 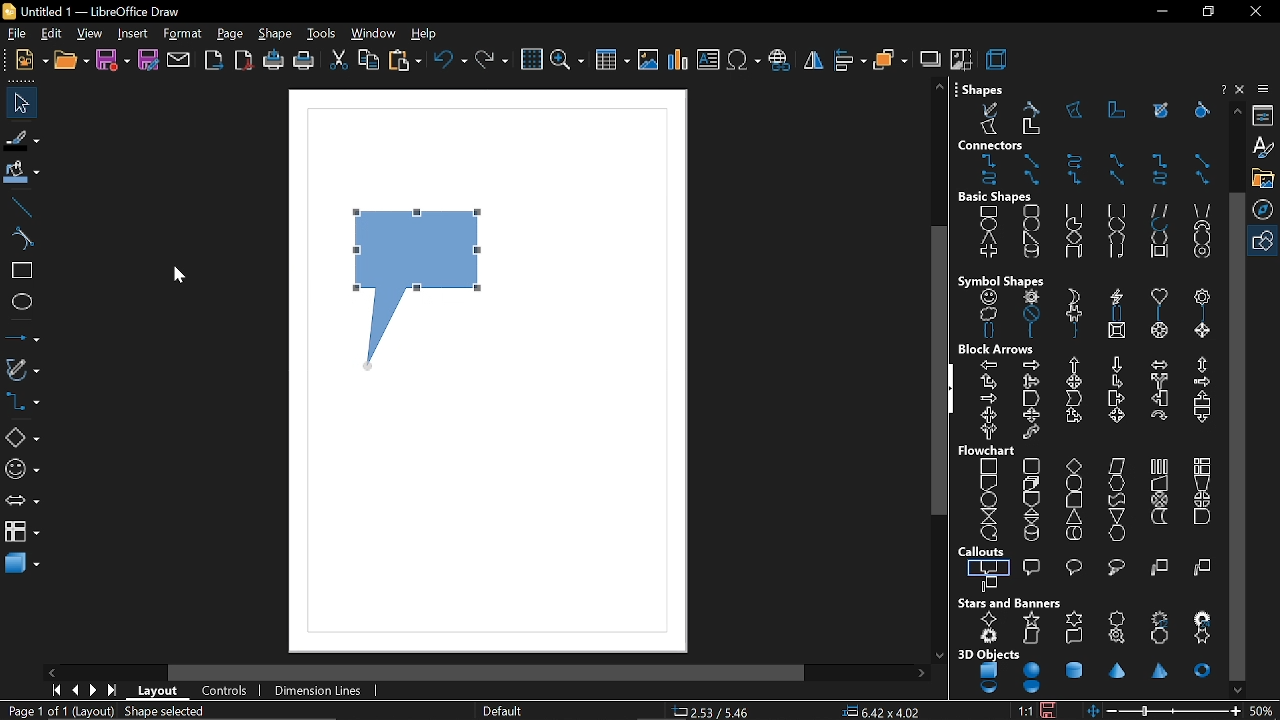 I want to click on polygon 45, so click(x=1118, y=110).